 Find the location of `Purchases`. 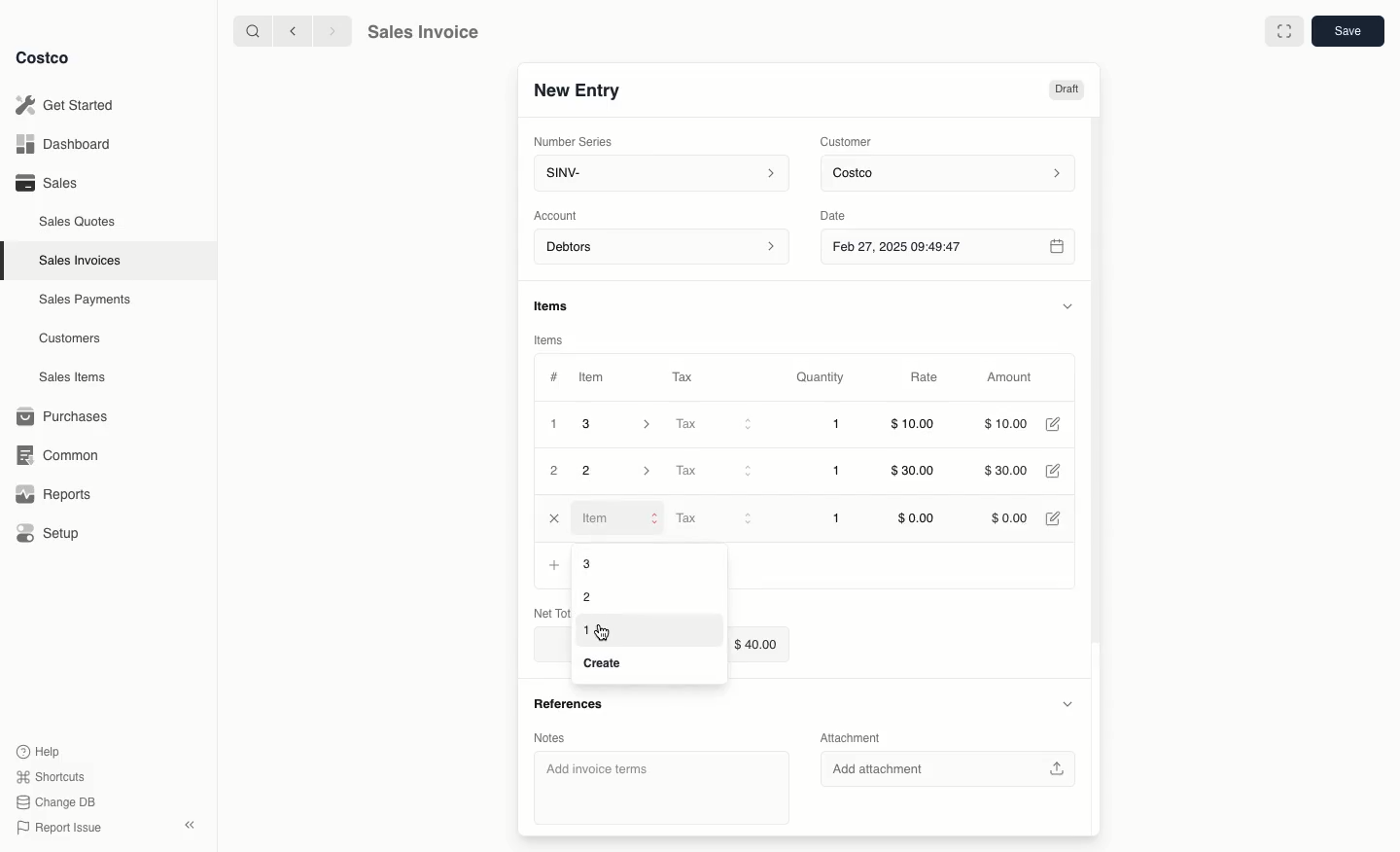

Purchases is located at coordinates (63, 416).